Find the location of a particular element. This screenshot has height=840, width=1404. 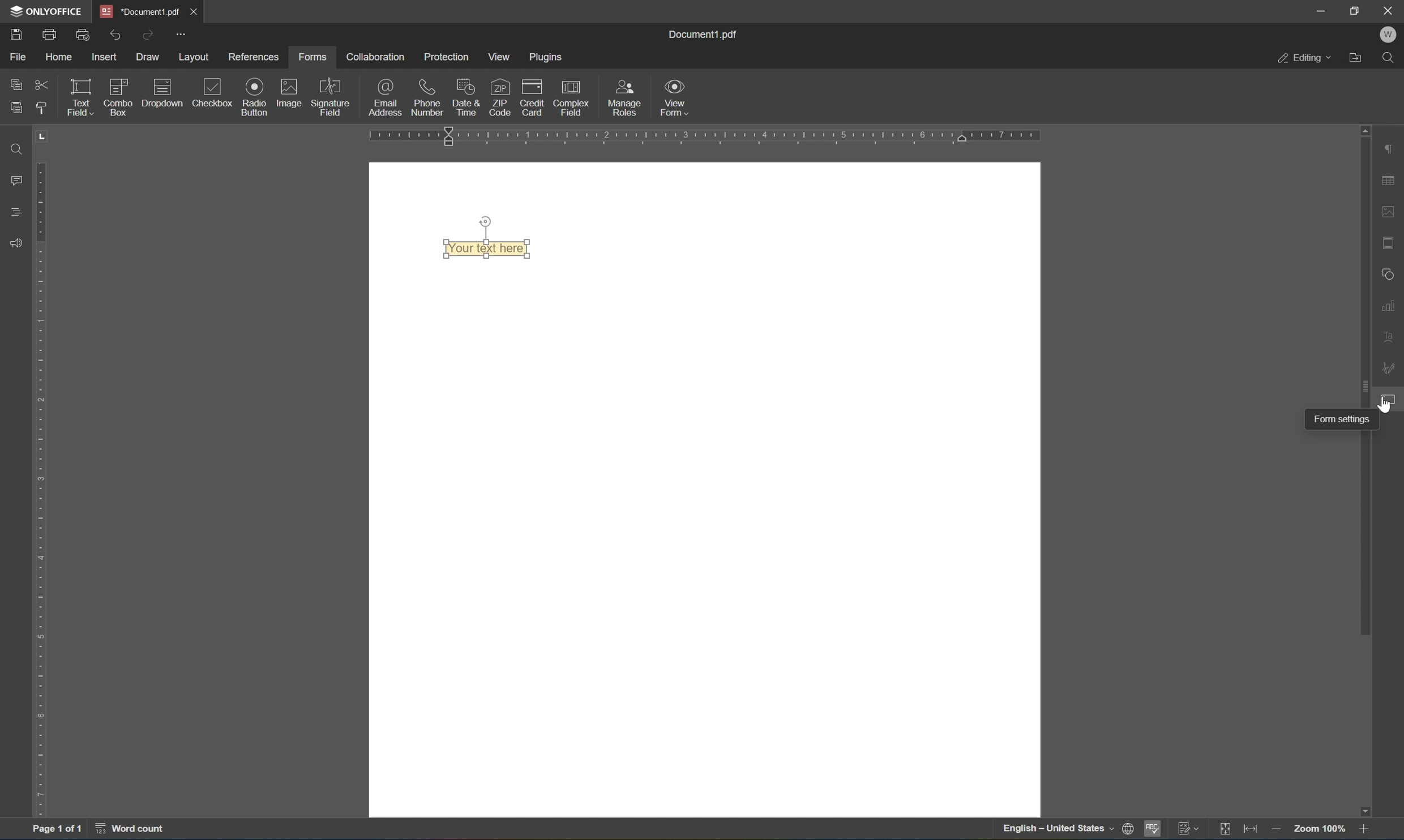

cursor is located at coordinates (1389, 404).